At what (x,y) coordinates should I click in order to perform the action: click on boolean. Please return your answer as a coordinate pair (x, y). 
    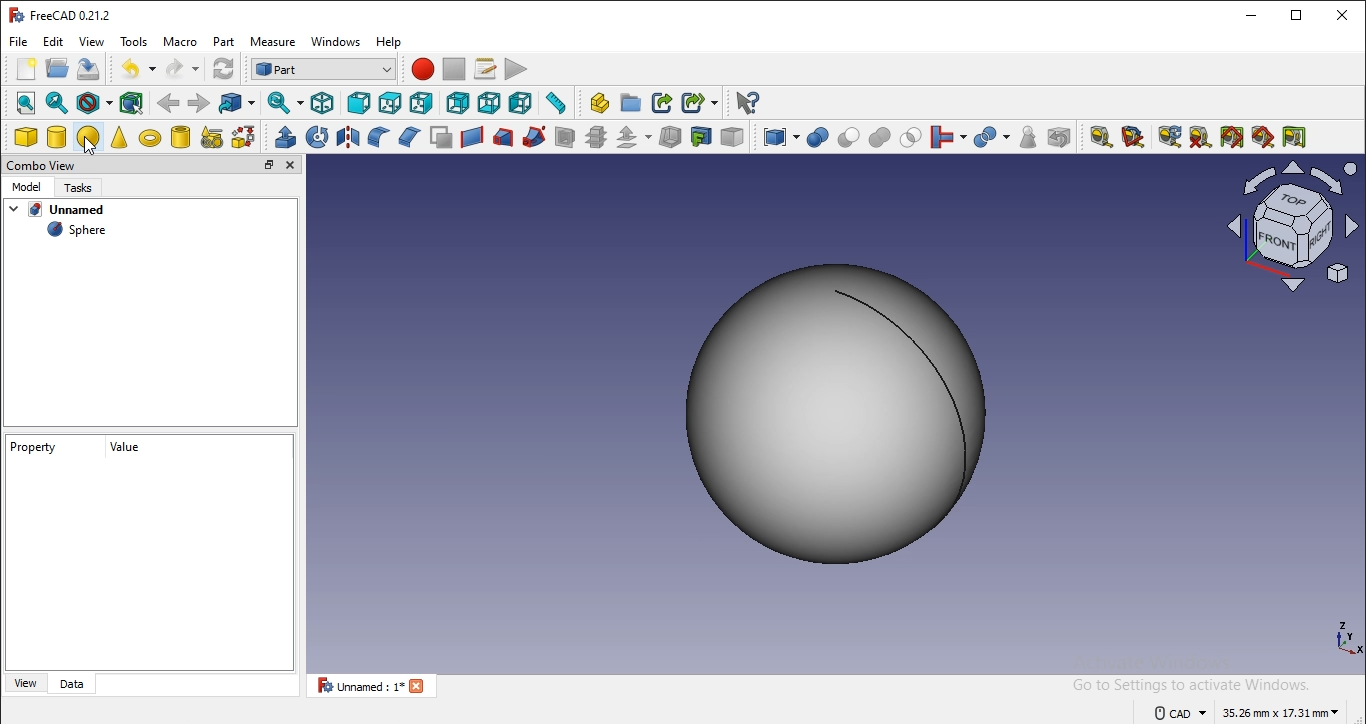
    Looking at the image, I should click on (817, 138).